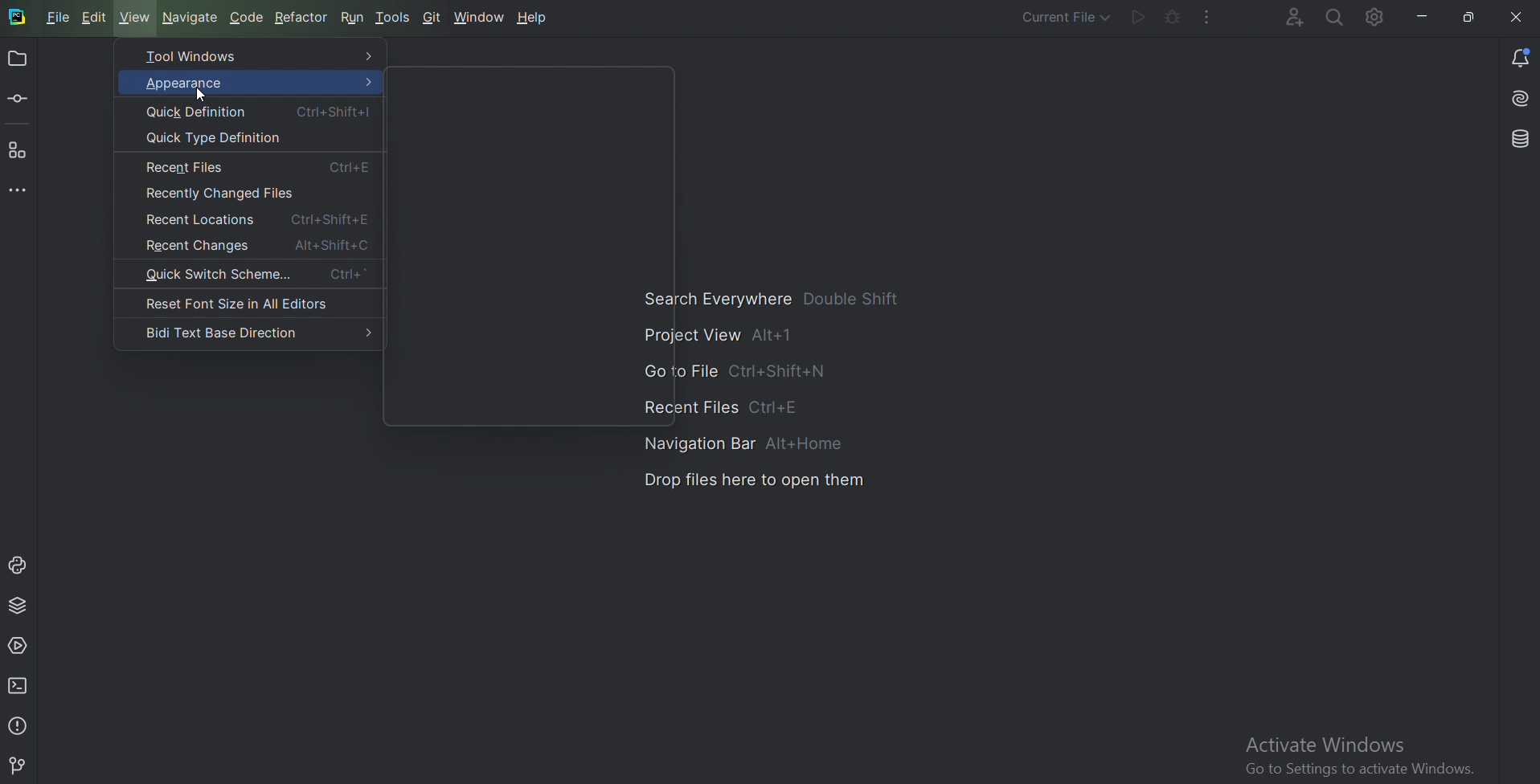  I want to click on Reset font size in all editors, so click(250, 304).